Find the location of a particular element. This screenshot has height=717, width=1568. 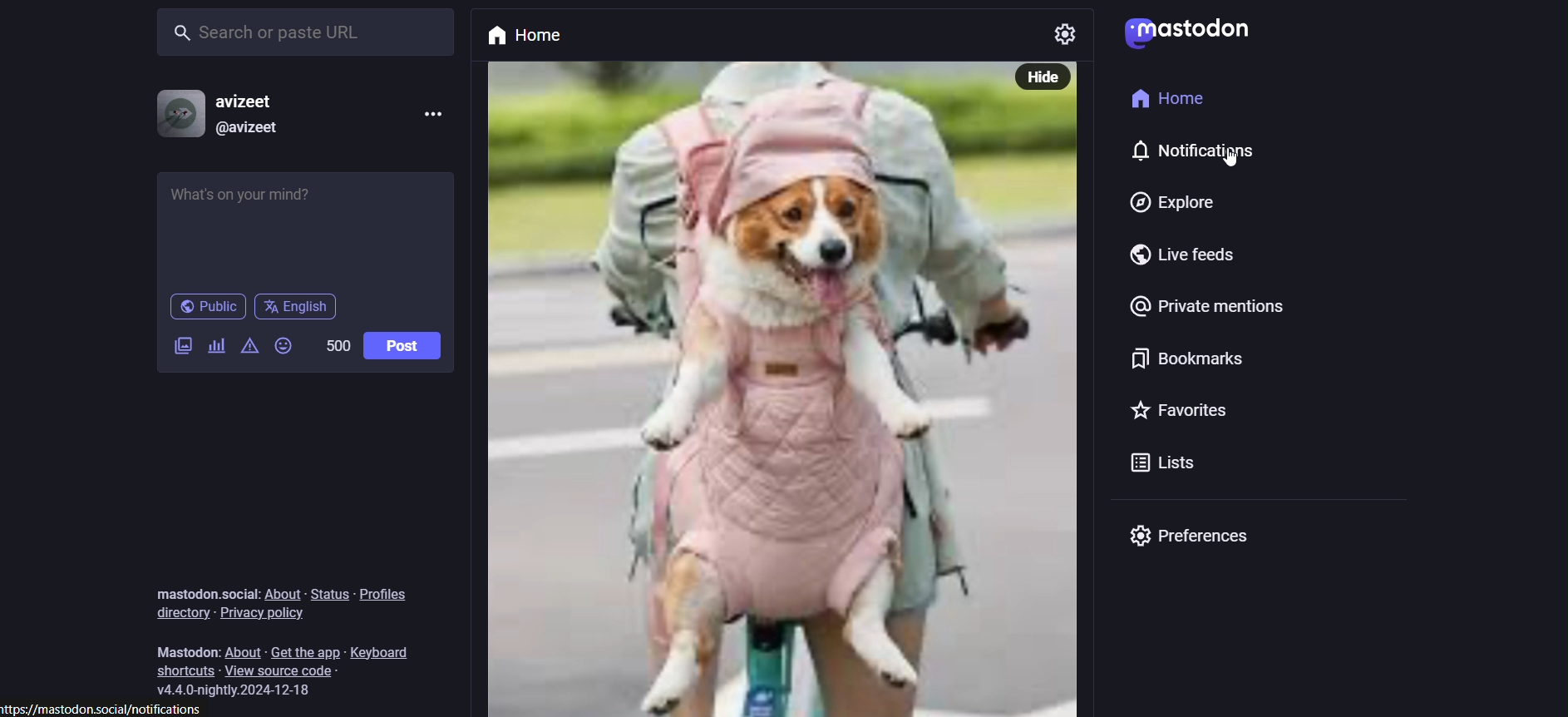

hide is located at coordinates (1039, 77).